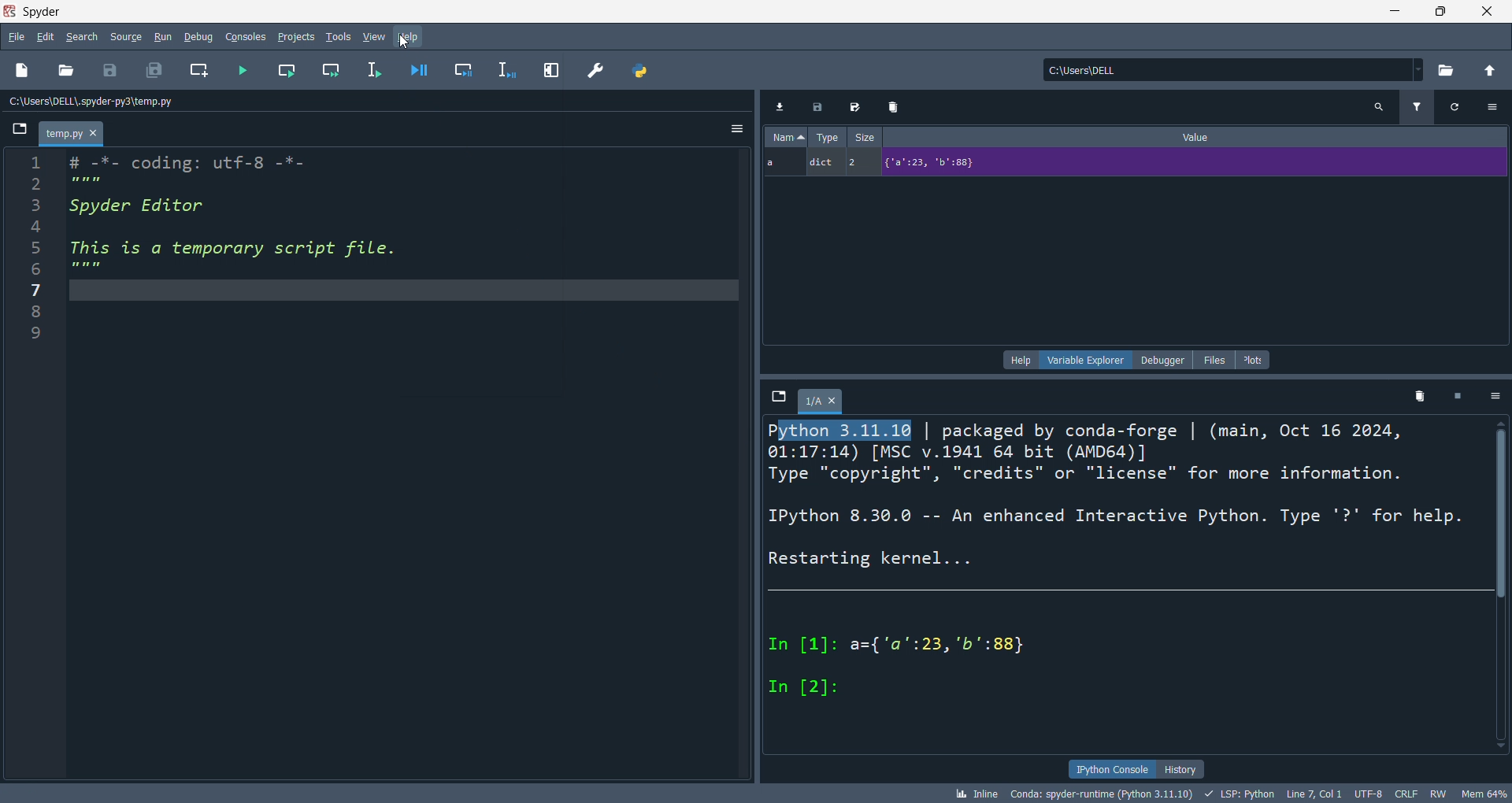 The width and height of the screenshot is (1512, 803). Describe the element at coordinates (1457, 394) in the screenshot. I see `Pause ` at that location.